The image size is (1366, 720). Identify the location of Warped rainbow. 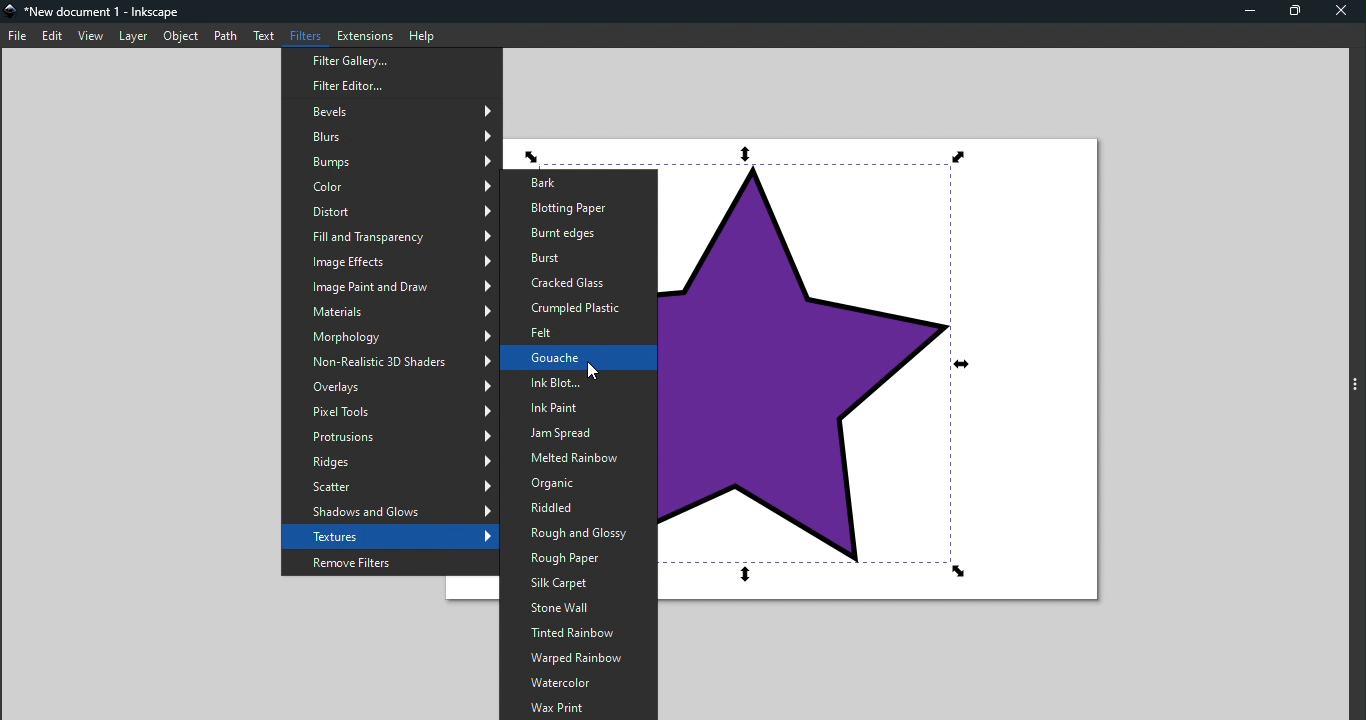
(577, 659).